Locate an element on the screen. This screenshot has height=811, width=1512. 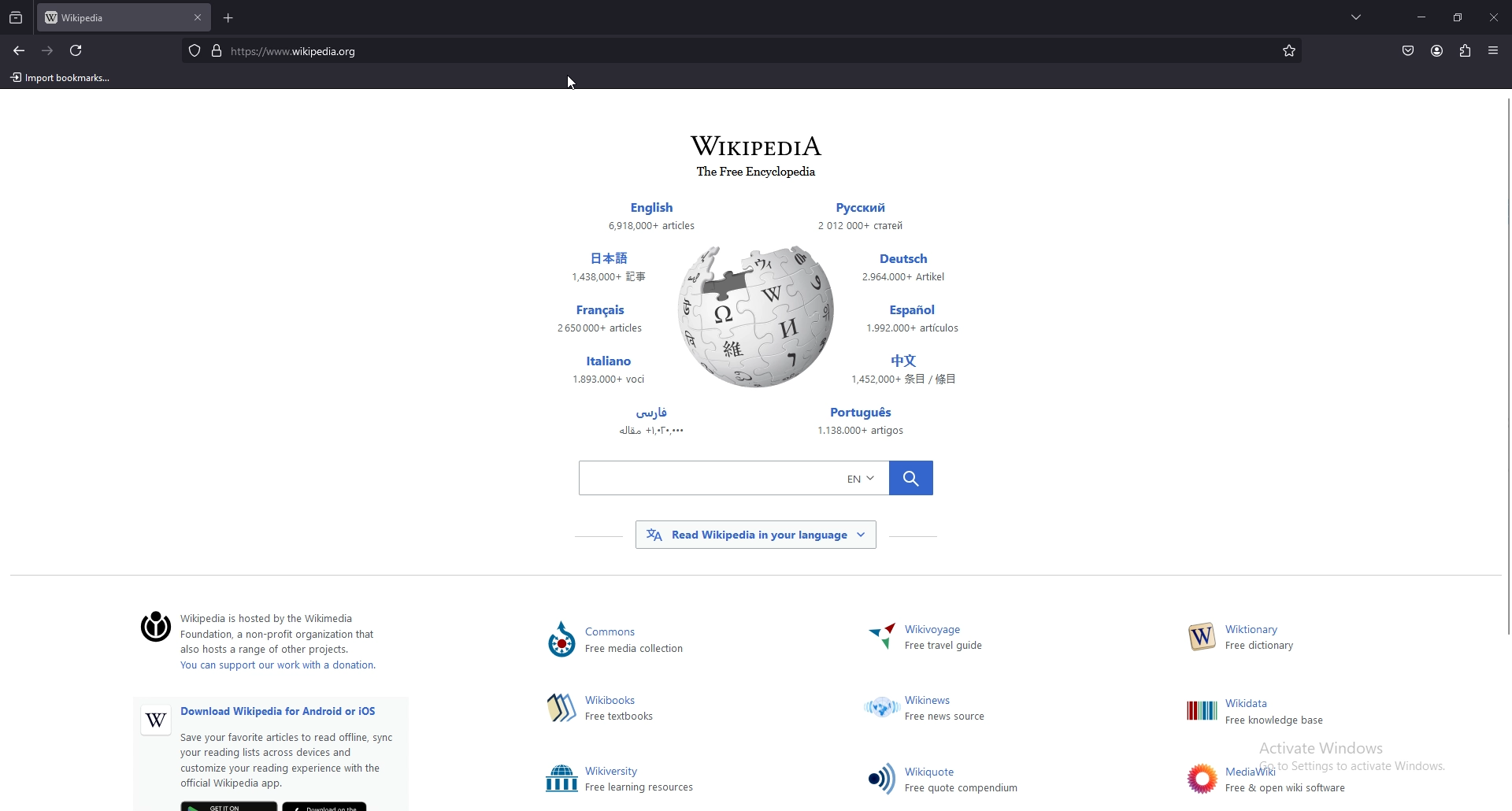
 is located at coordinates (915, 369).